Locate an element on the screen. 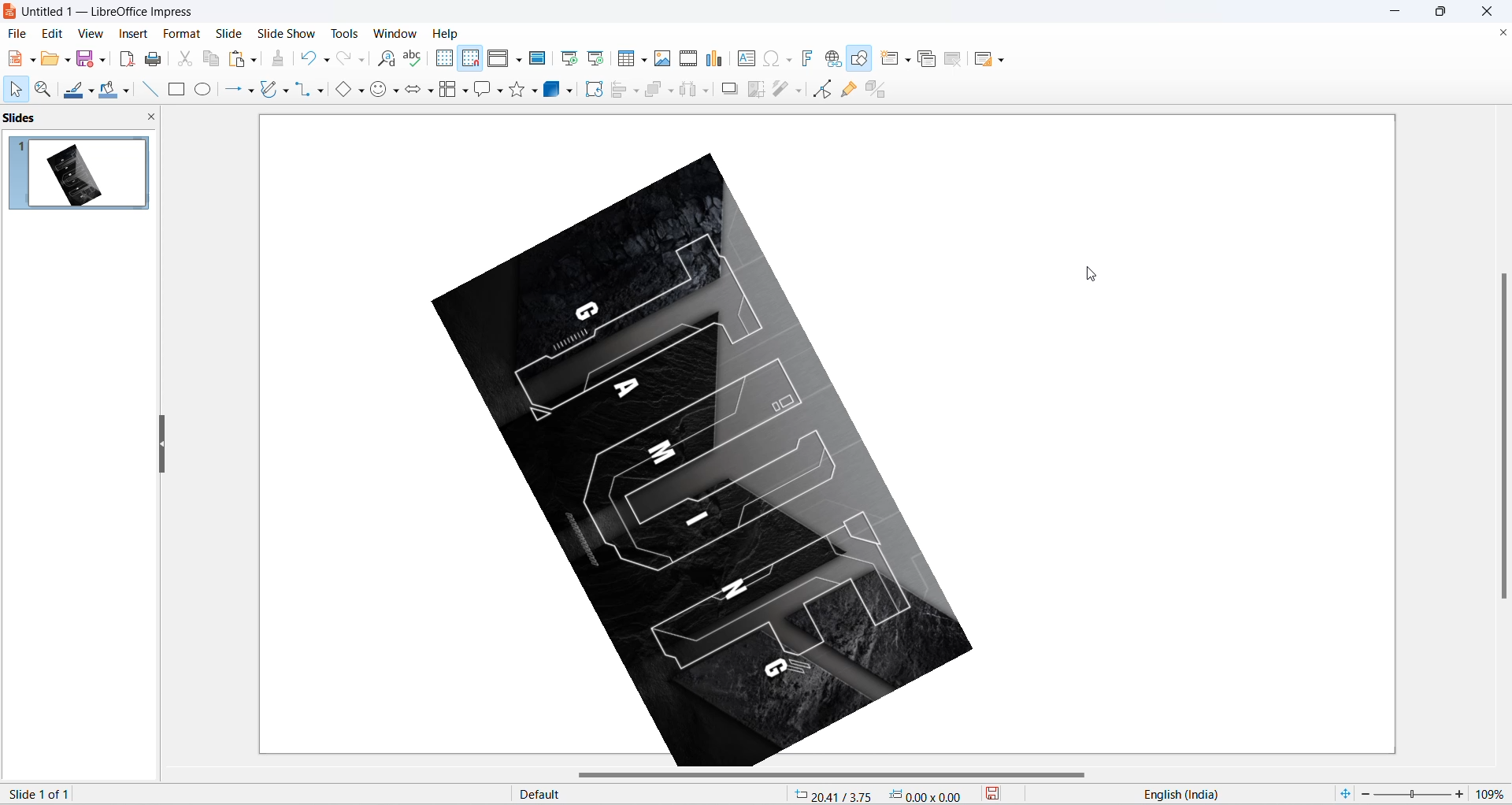  line color options is located at coordinates (91, 95).